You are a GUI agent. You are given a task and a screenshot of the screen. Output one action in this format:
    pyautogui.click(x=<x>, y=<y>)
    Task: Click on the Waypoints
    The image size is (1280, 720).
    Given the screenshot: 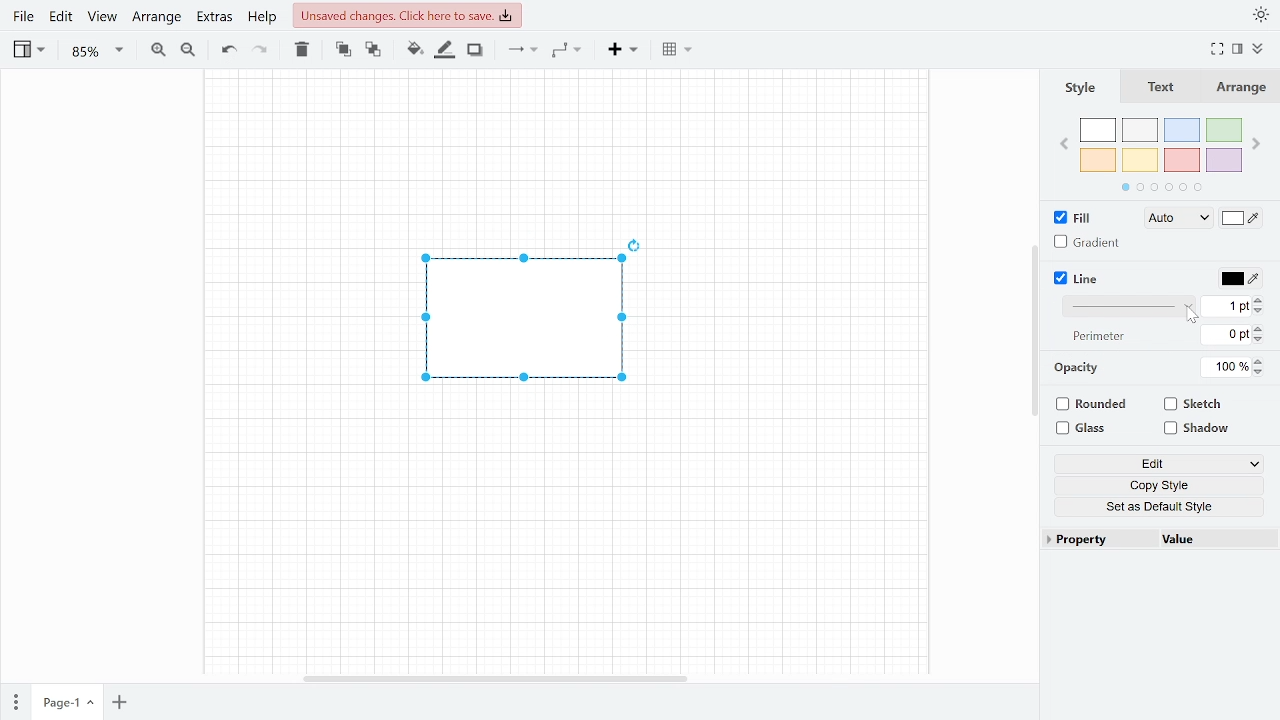 What is the action you would take?
    pyautogui.click(x=566, y=52)
    